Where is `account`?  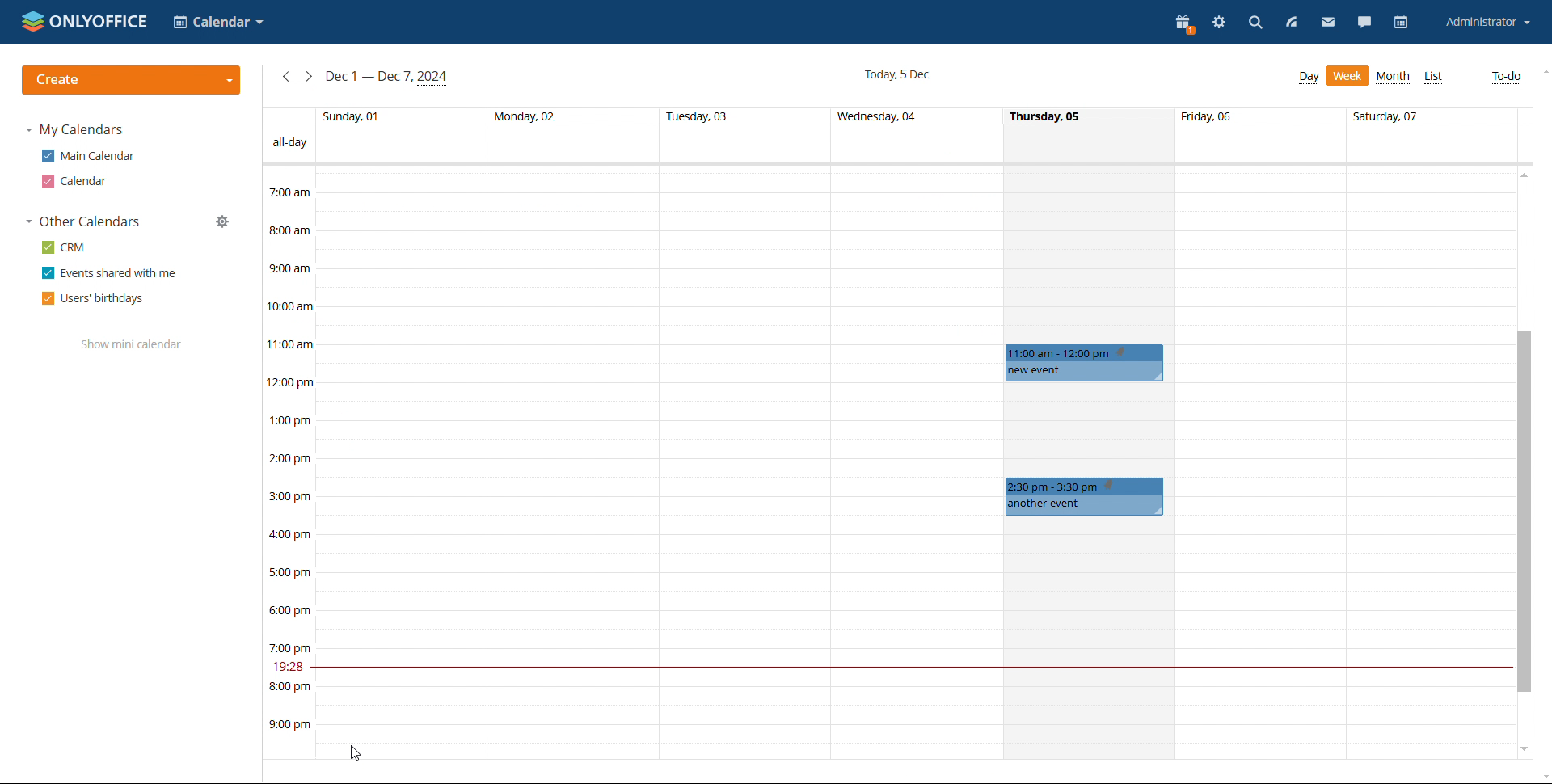 account is located at coordinates (1487, 23).